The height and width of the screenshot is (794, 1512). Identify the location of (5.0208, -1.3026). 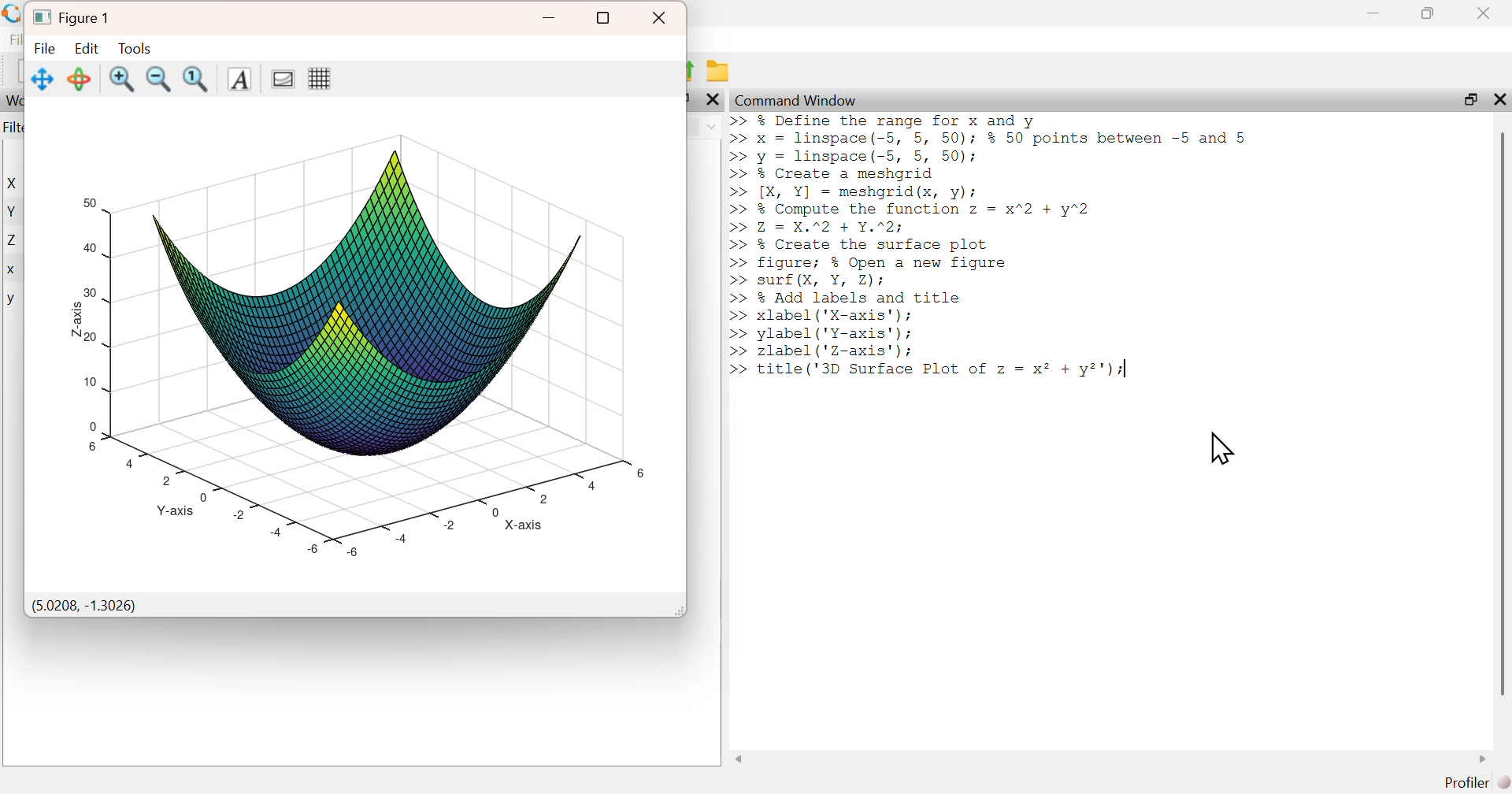
(84, 607).